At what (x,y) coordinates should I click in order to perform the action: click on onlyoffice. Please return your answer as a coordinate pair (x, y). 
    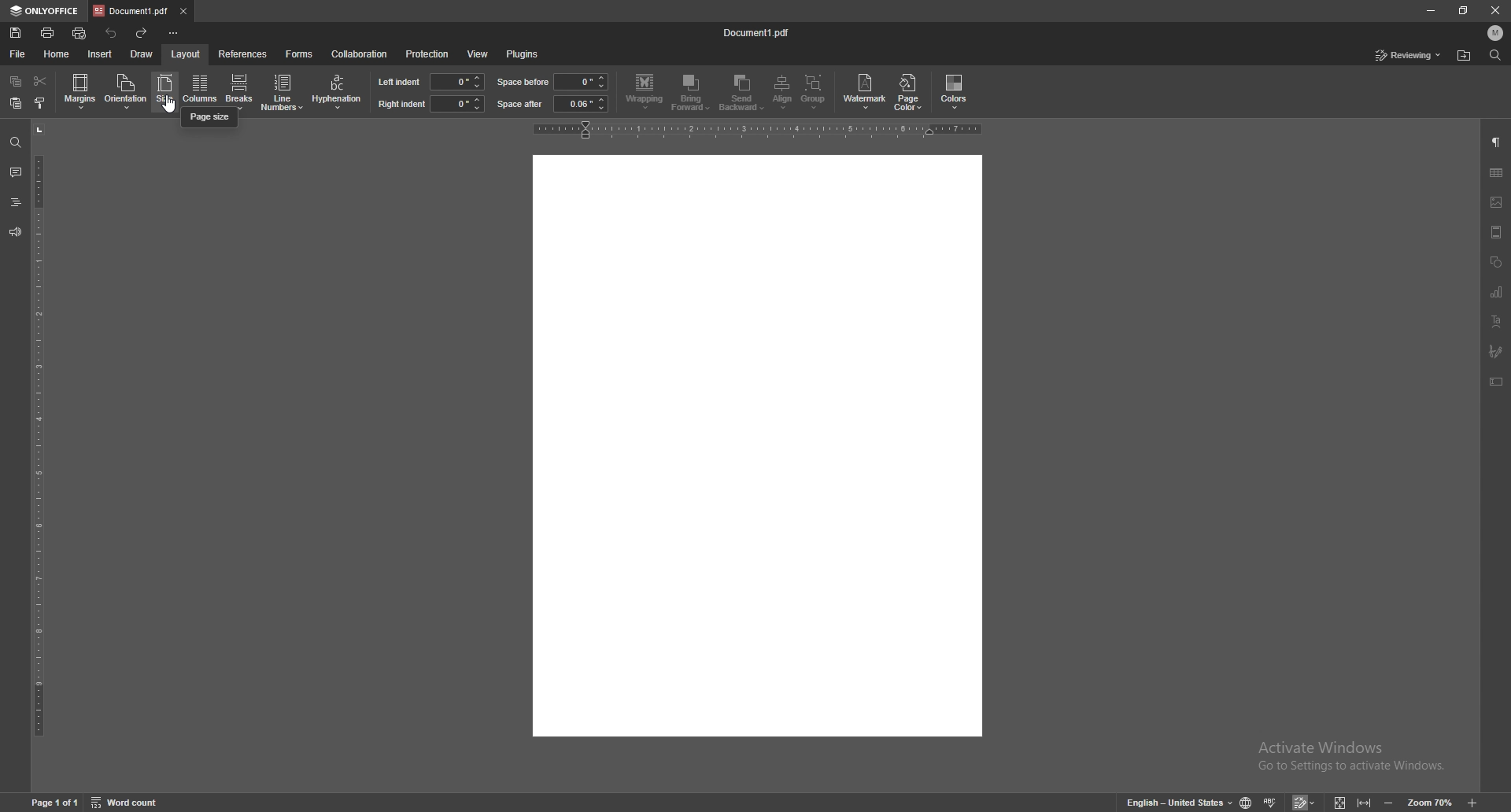
    Looking at the image, I should click on (42, 11).